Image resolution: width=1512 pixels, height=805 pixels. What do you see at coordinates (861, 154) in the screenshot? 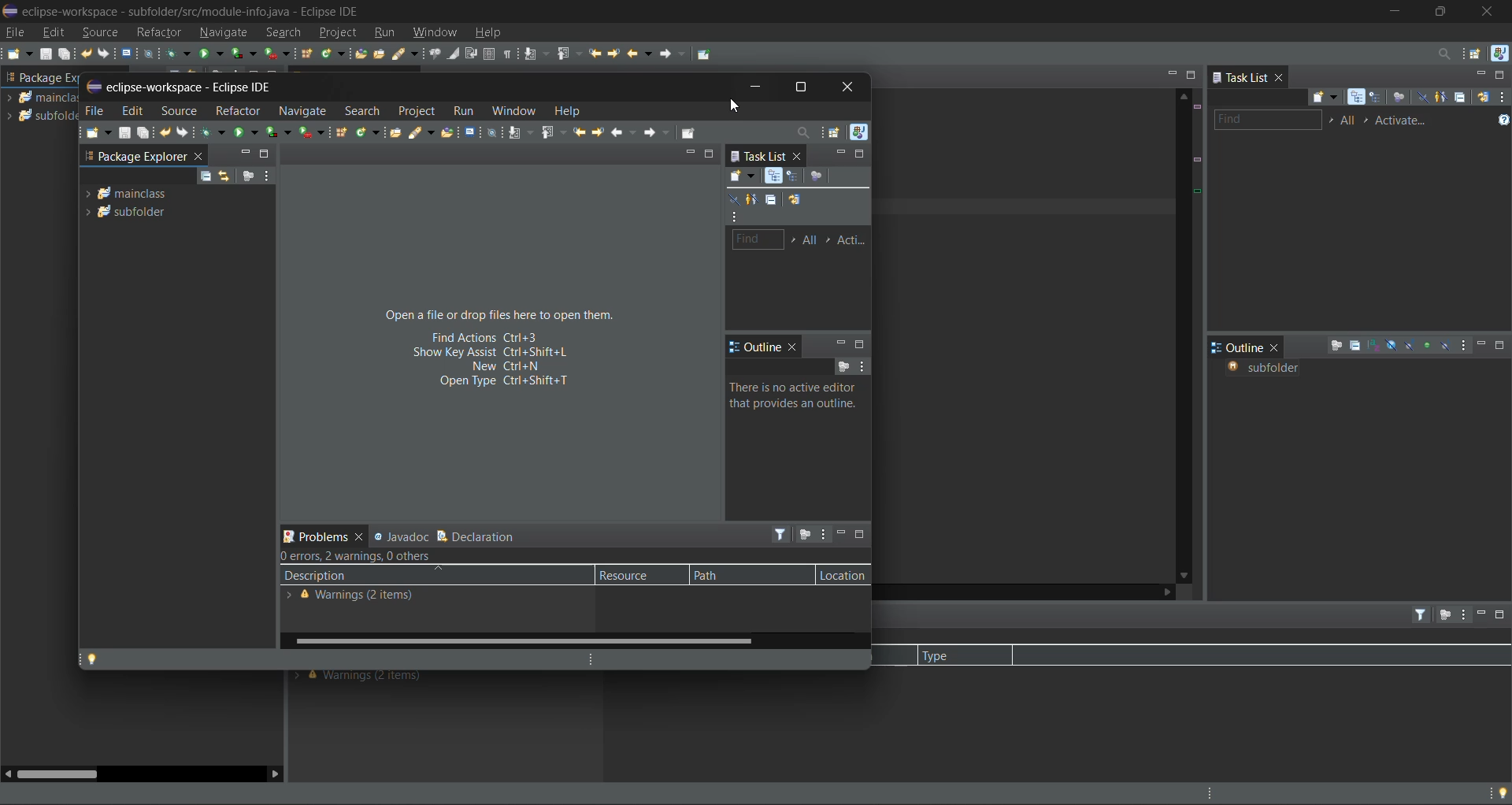
I see `maximize` at bounding box center [861, 154].